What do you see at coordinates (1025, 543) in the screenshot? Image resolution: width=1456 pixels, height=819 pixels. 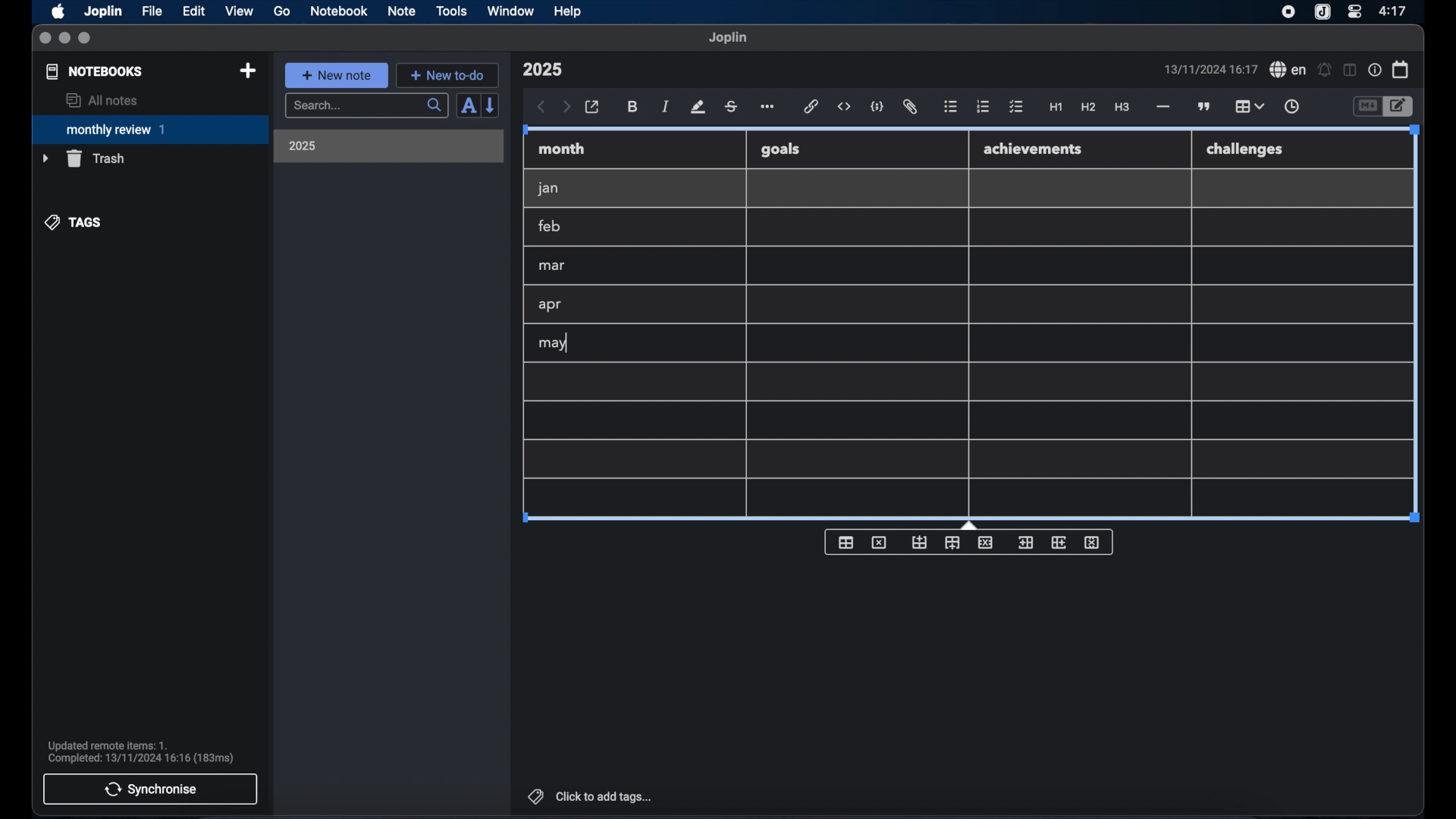 I see `insert column before` at bounding box center [1025, 543].